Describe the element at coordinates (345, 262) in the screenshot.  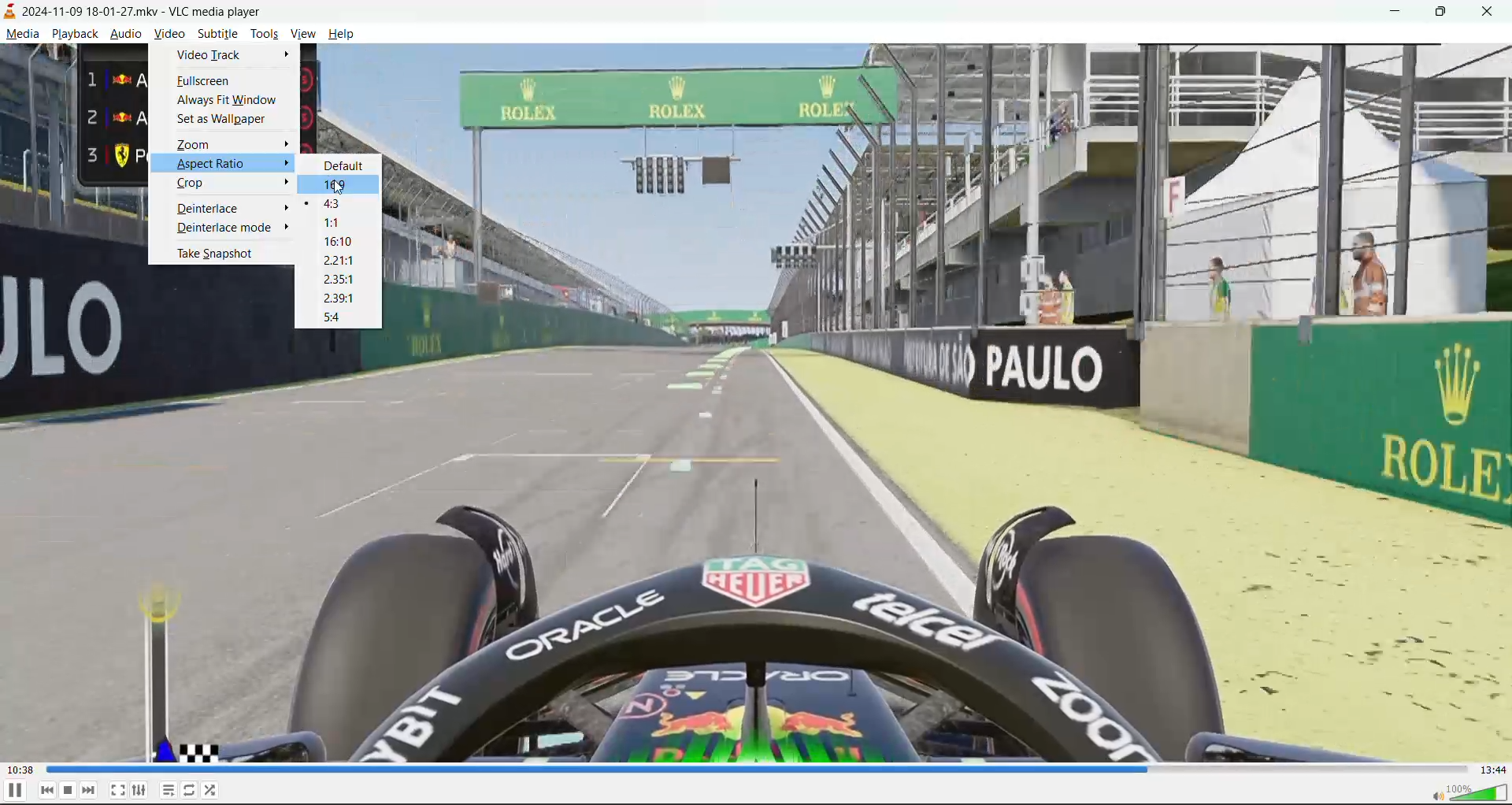
I see `2.21:1` at that location.